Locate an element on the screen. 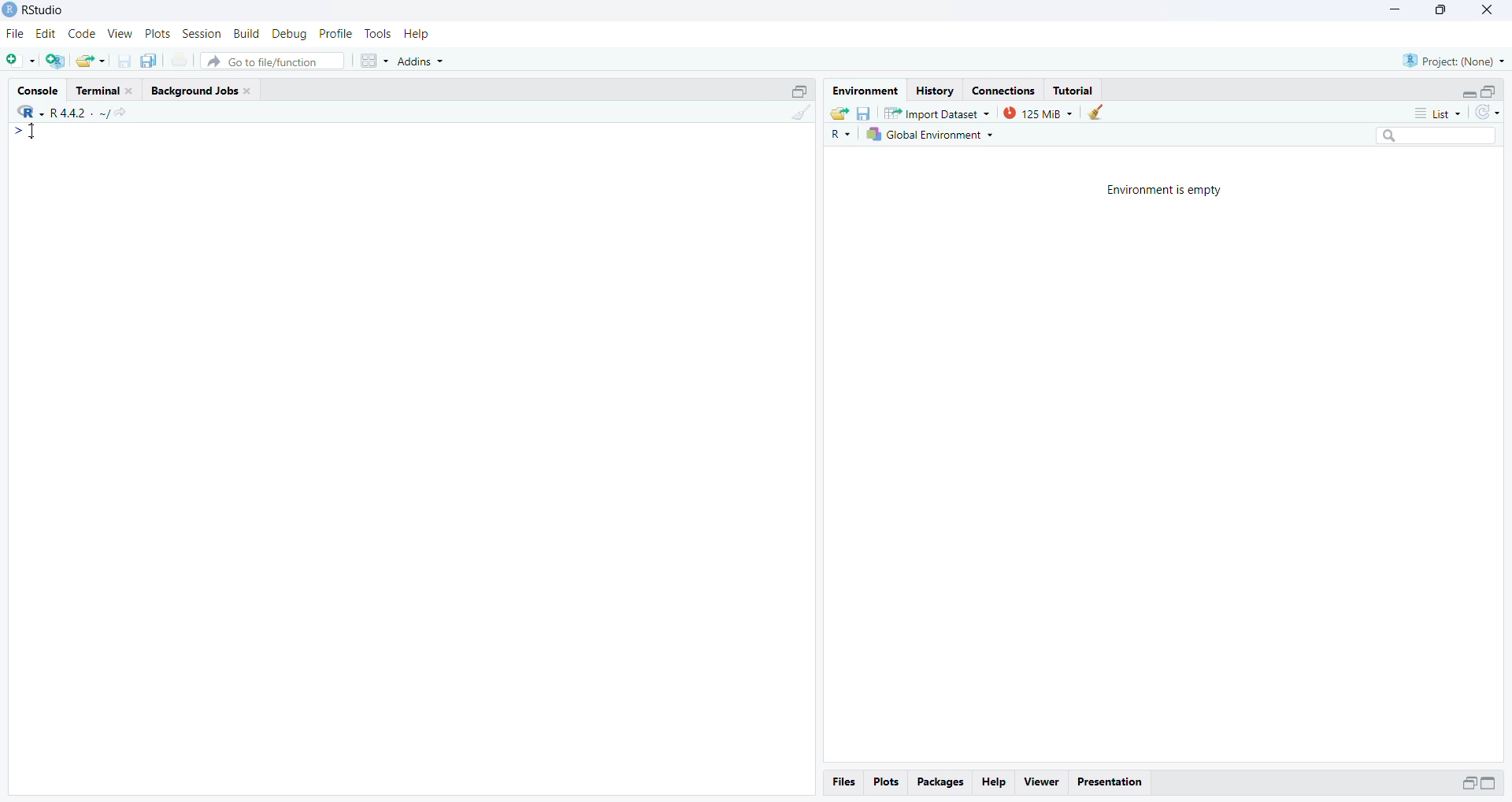  Viewer is located at coordinates (1041, 783).